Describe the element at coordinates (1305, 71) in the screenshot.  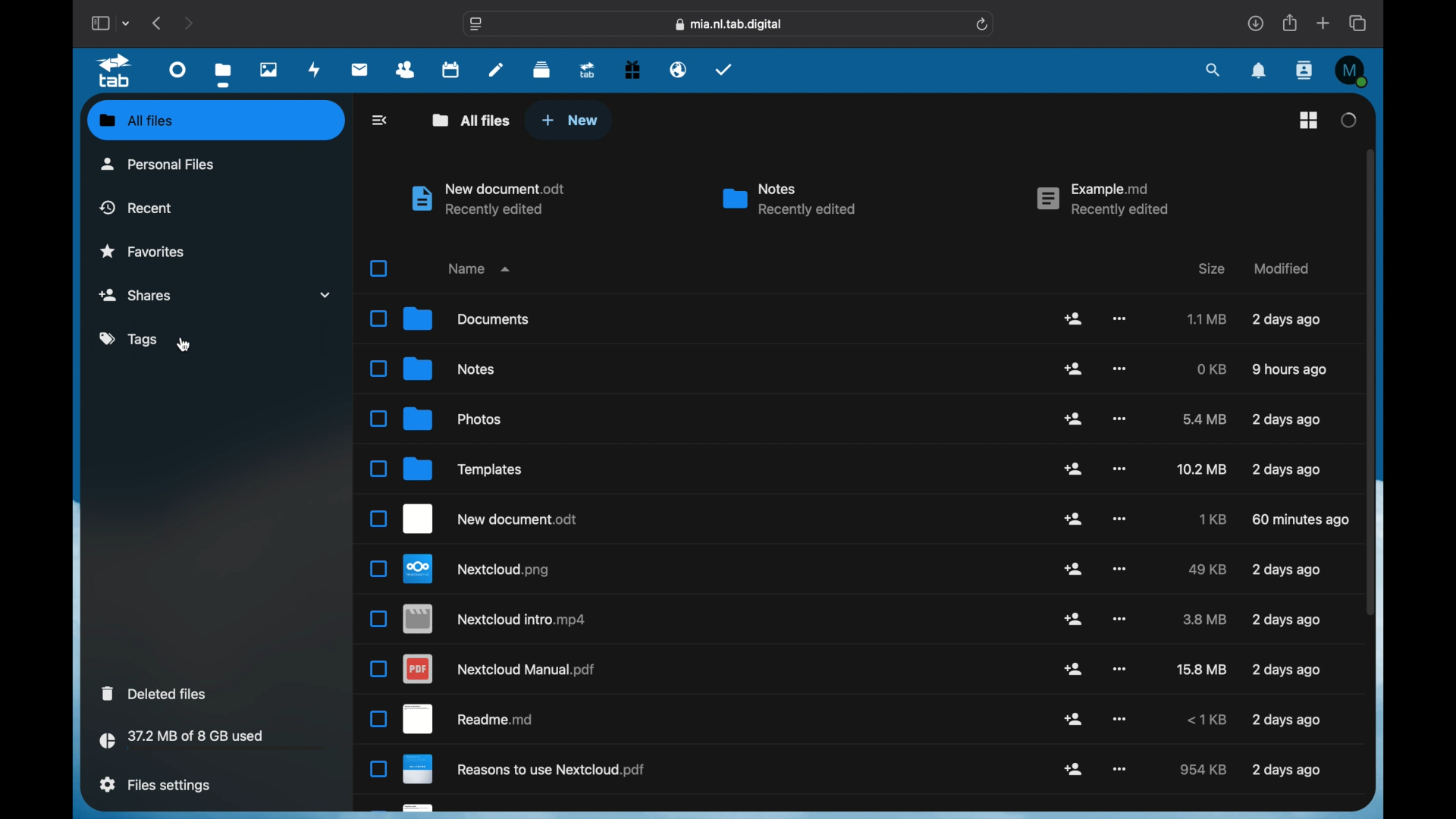
I see `contacts` at that location.